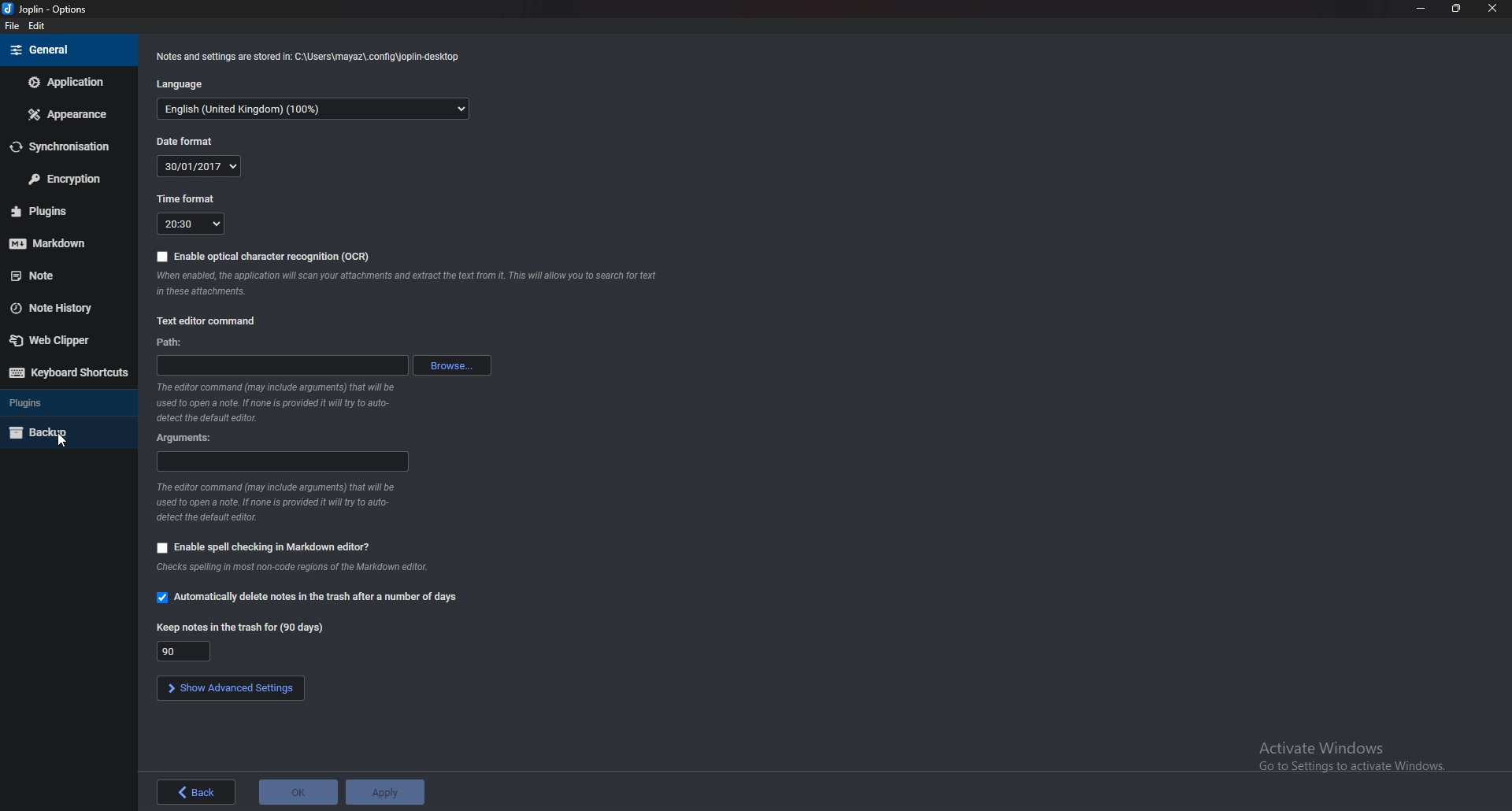 This screenshot has height=811, width=1512. Describe the element at coordinates (197, 792) in the screenshot. I see `back` at that location.